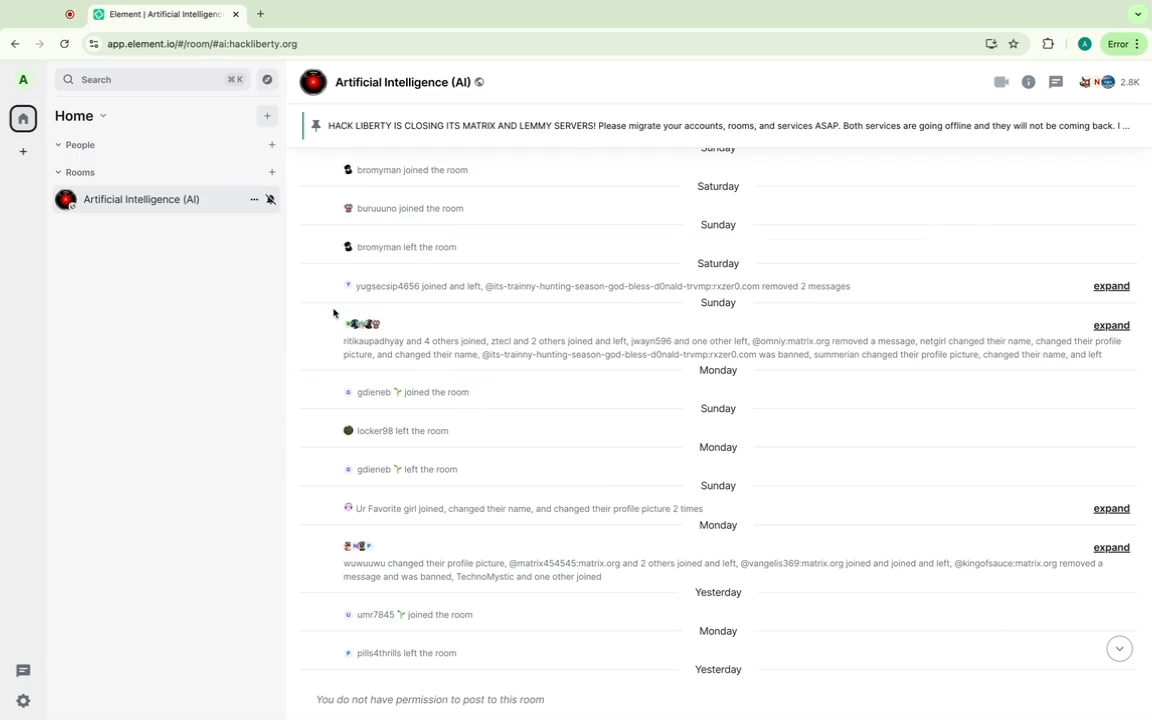 Image resolution: width=1152 pixels, height=720 pixels. I want to click on Expand, so click(1114, 509).